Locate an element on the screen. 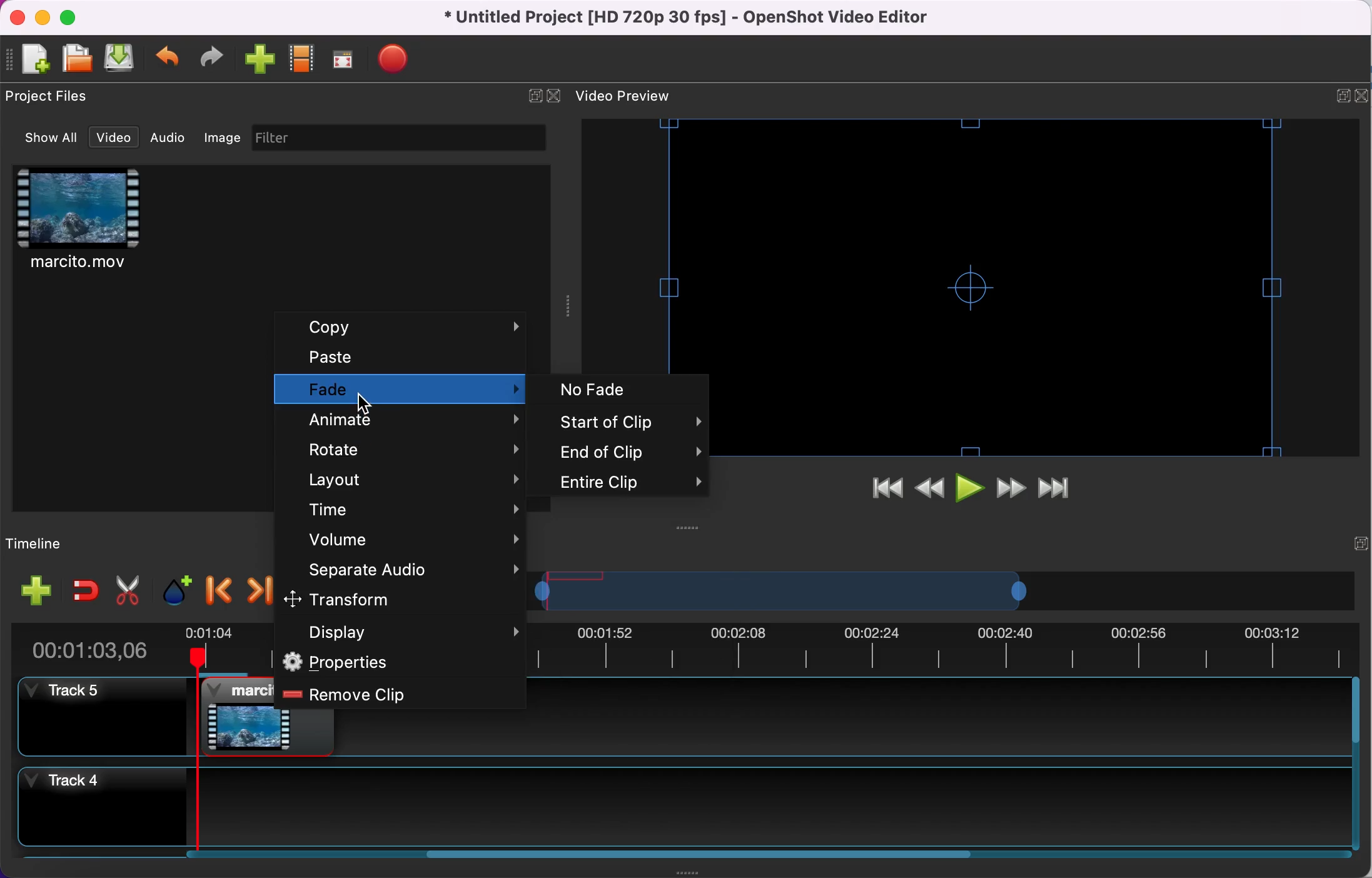 The width and height of the screenshot is (1372, 878). clip is located at coordinates (241, 715).